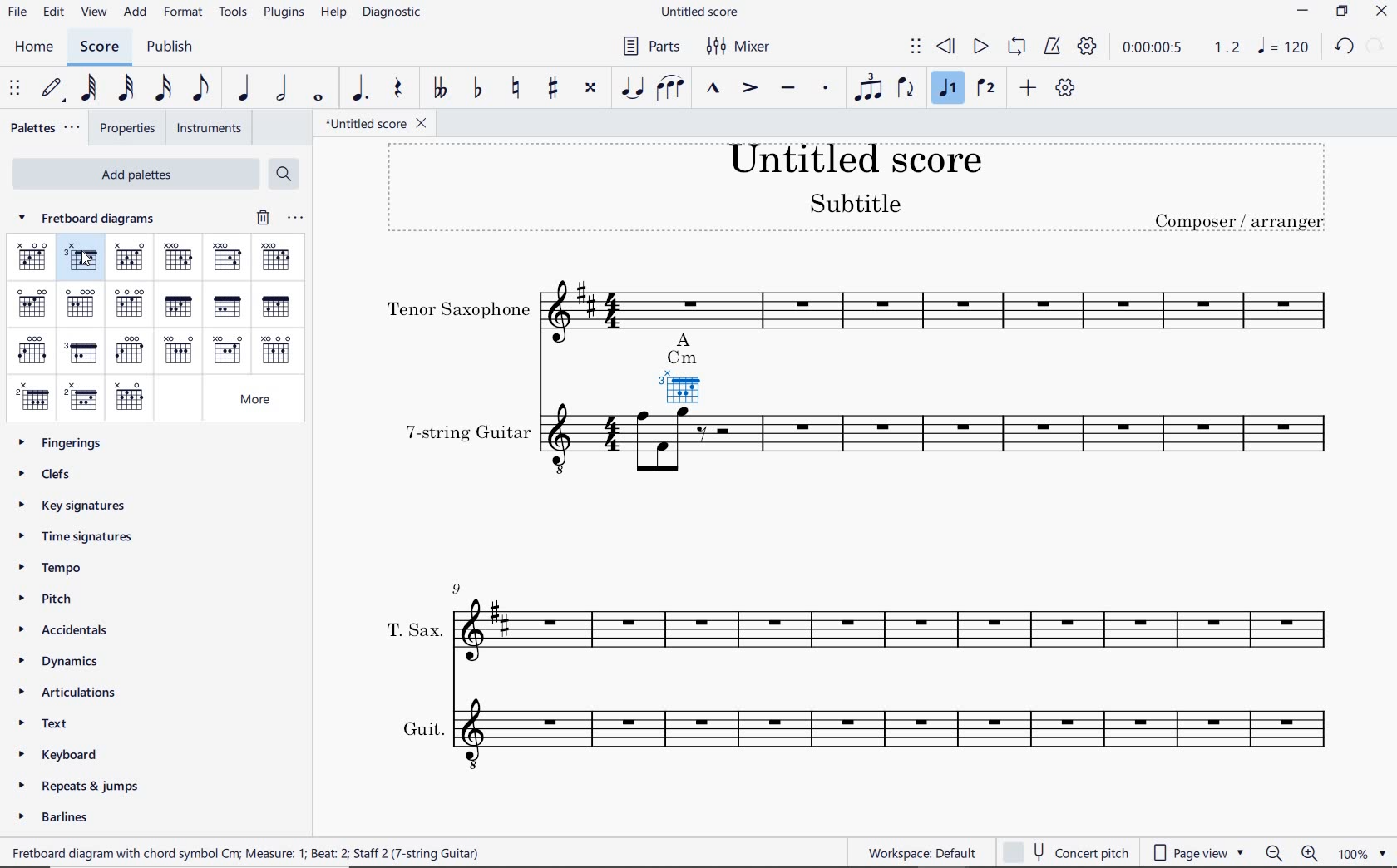 The height and width of the screenshot is (868, 1397). What do you see at coordinates (985, 89) in the screenshot?
I see `VOICE 2` at bounding box center [985, 89].